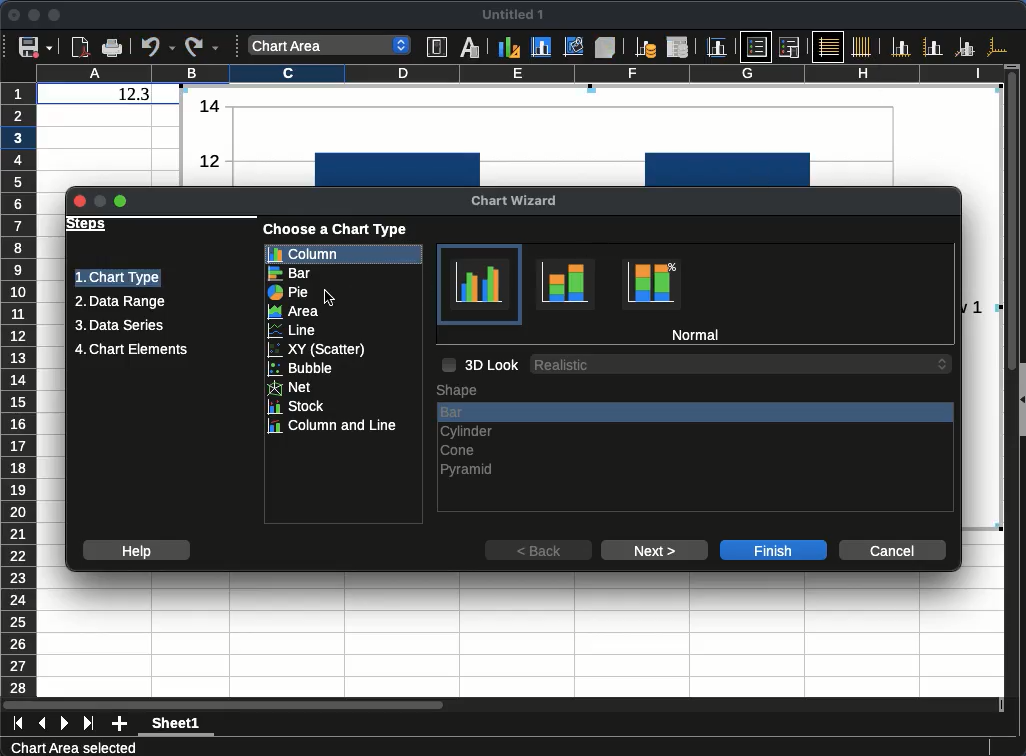  What do you see at coordinates (42, 724) in the screenshot?
I see `previous sheet` at bounding box center [42, 724].